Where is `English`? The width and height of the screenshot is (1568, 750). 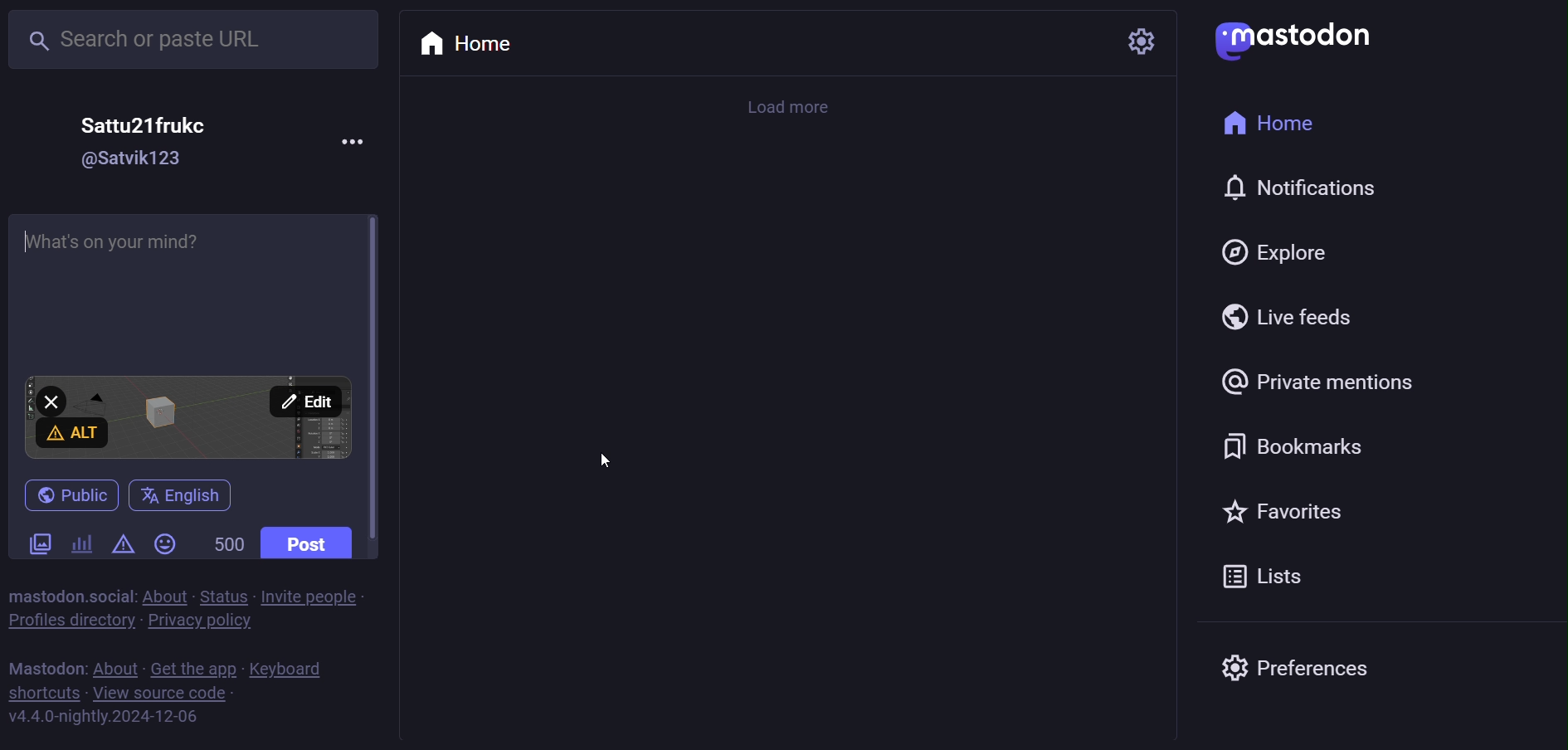 English is located at coordinates (181, 494).